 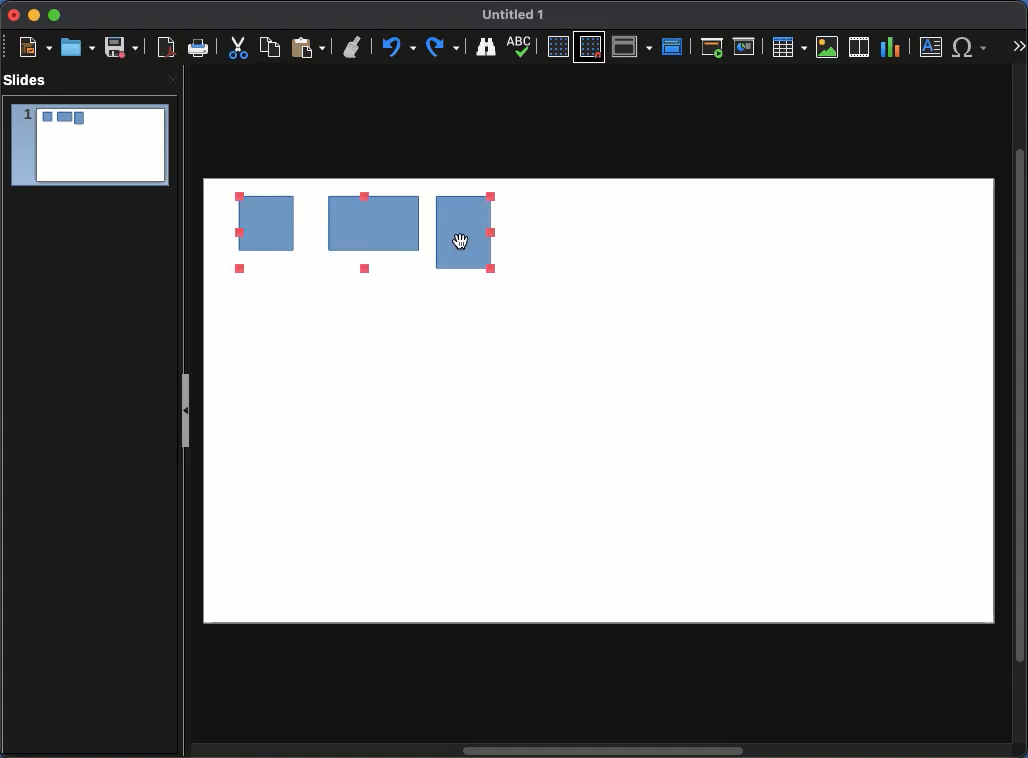 I want to click on Copy, so click(x=273, y=47).